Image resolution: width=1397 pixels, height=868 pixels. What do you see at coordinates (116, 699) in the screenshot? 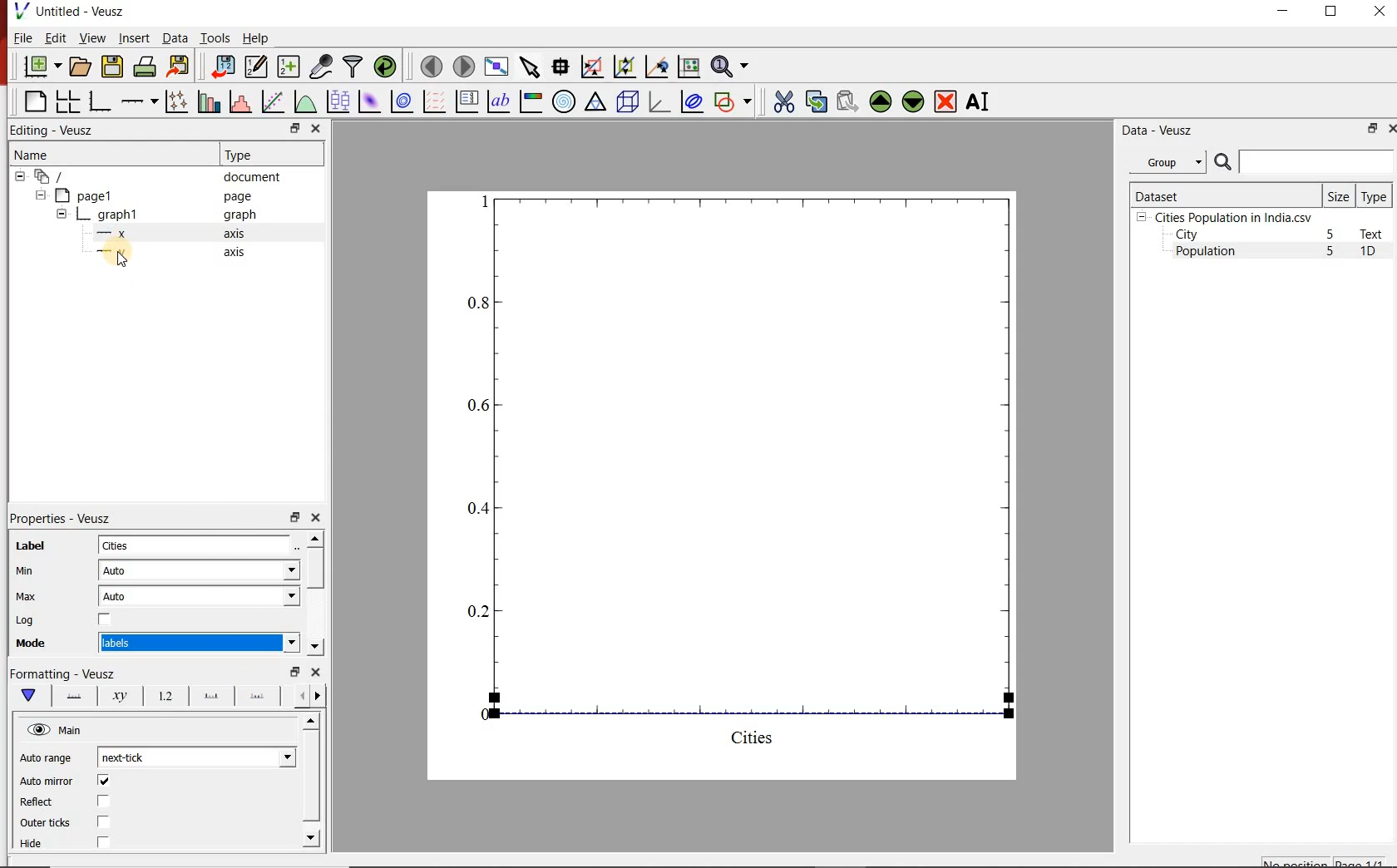
I see `Axis Label` at bounding box center [116, 699].